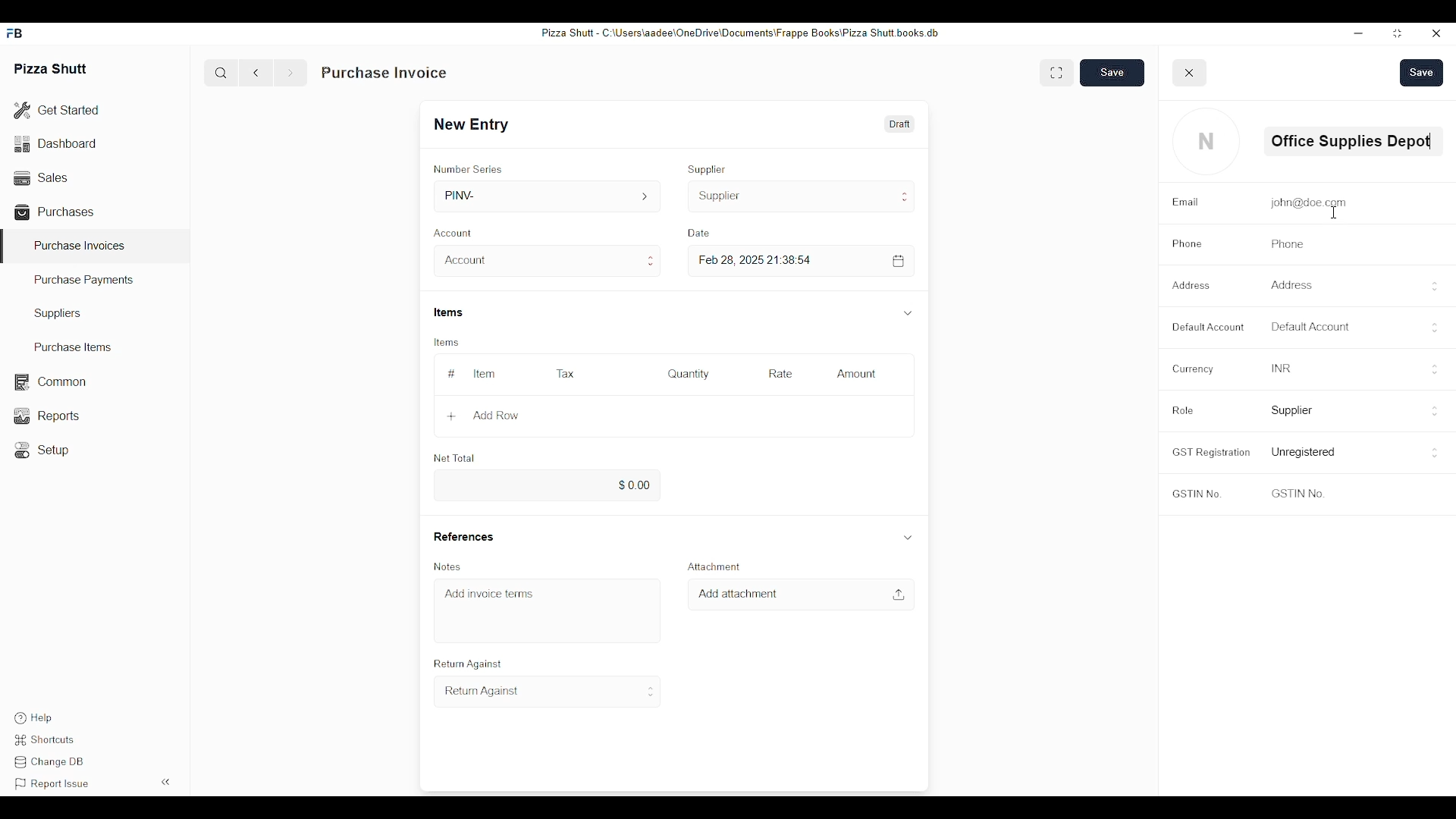 This screenshot has width=1456, height=819. I want to click on Pizza Shutt, so click(52, 67).